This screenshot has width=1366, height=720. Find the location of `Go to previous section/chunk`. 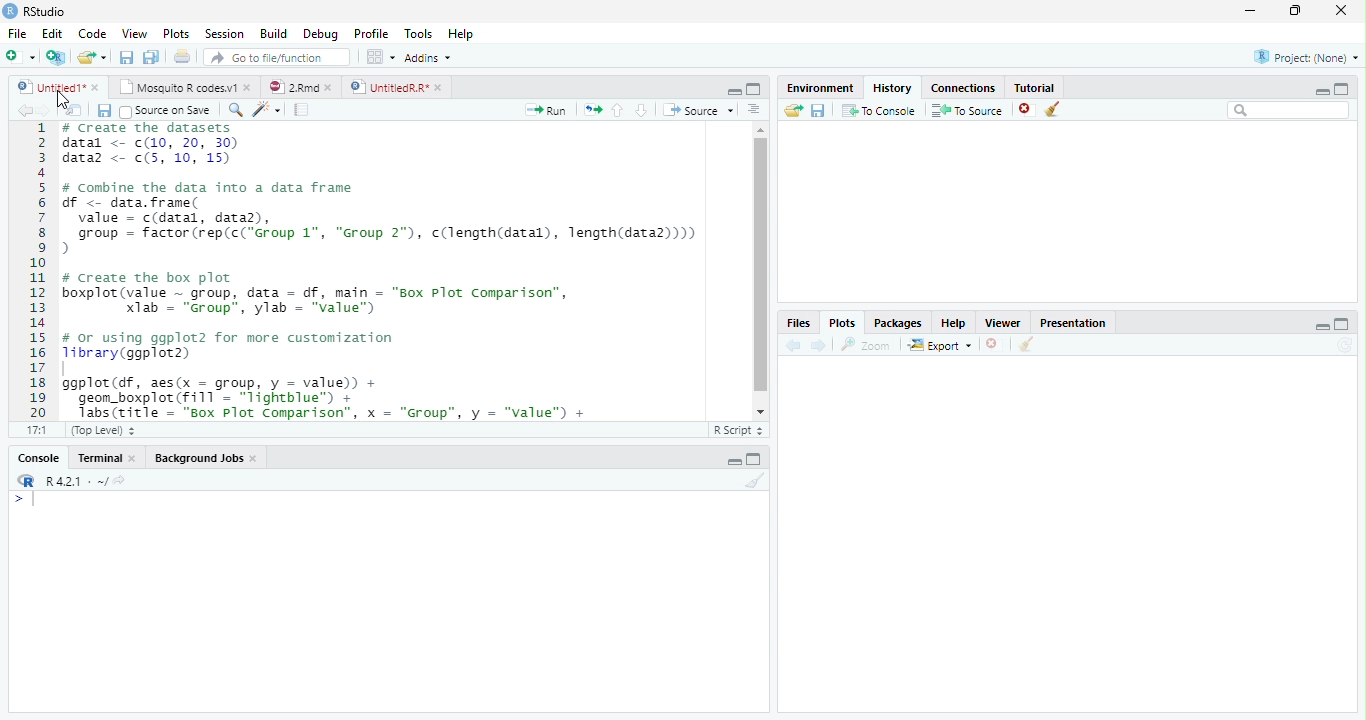

Go to previous section/chunk is located at coordinates (617, 110).